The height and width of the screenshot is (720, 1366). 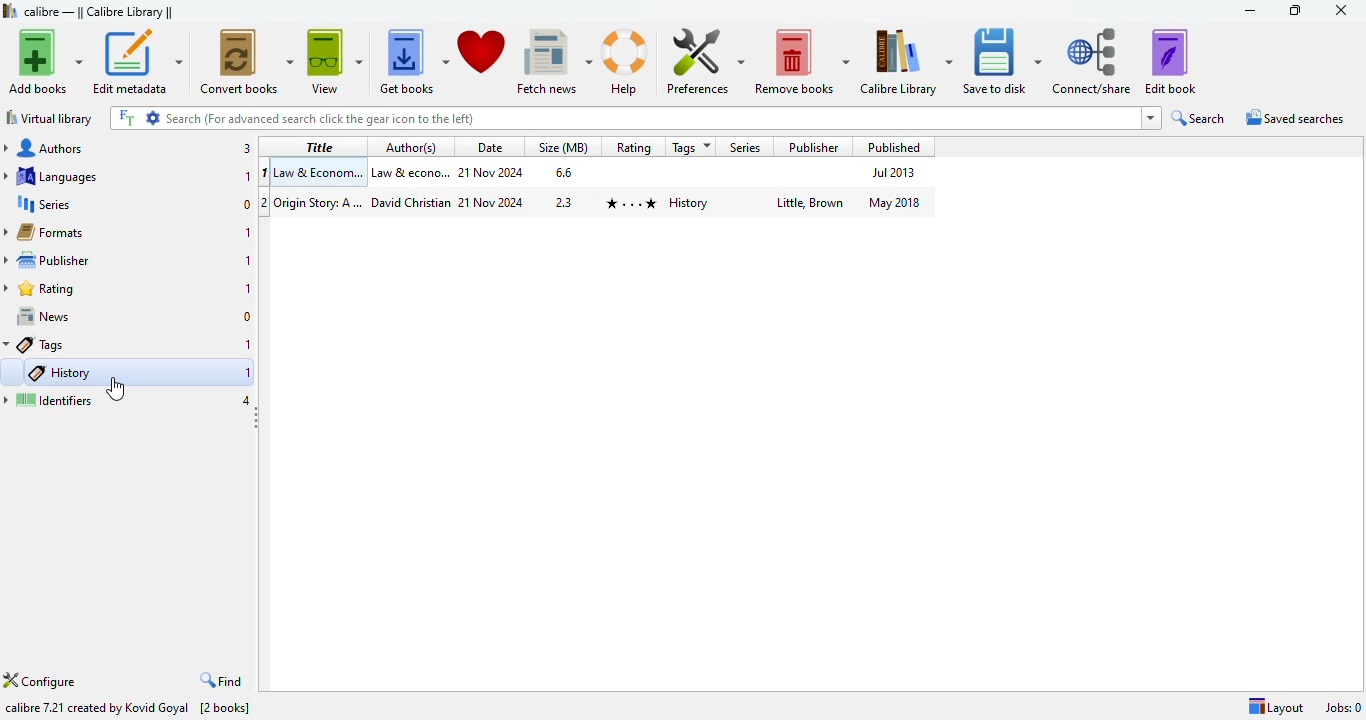 I want to click on 0, so click(x=244, y=204).